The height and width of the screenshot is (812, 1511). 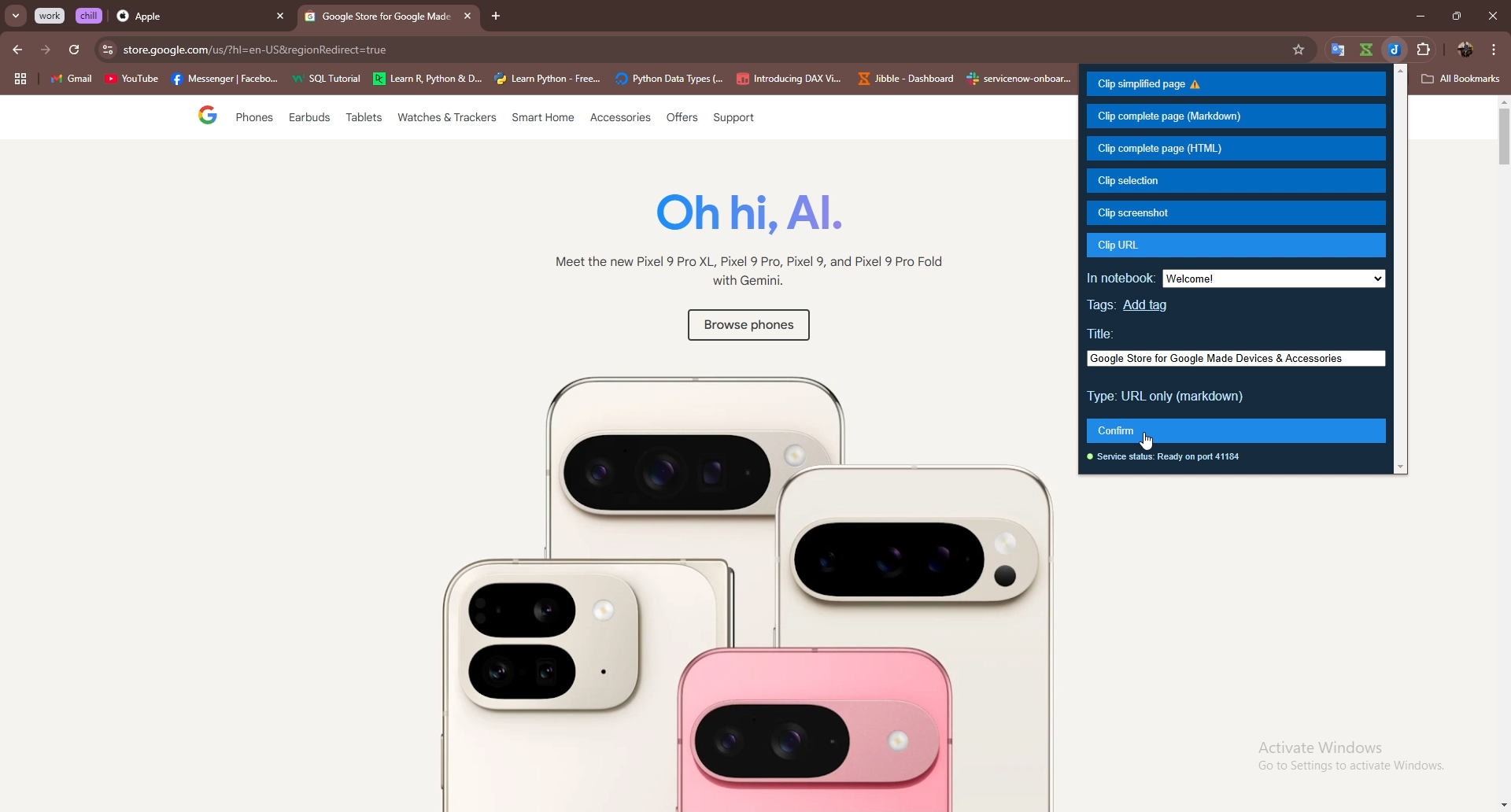 I want to click on Learn  Python- Free, so click(x=549, y=79).